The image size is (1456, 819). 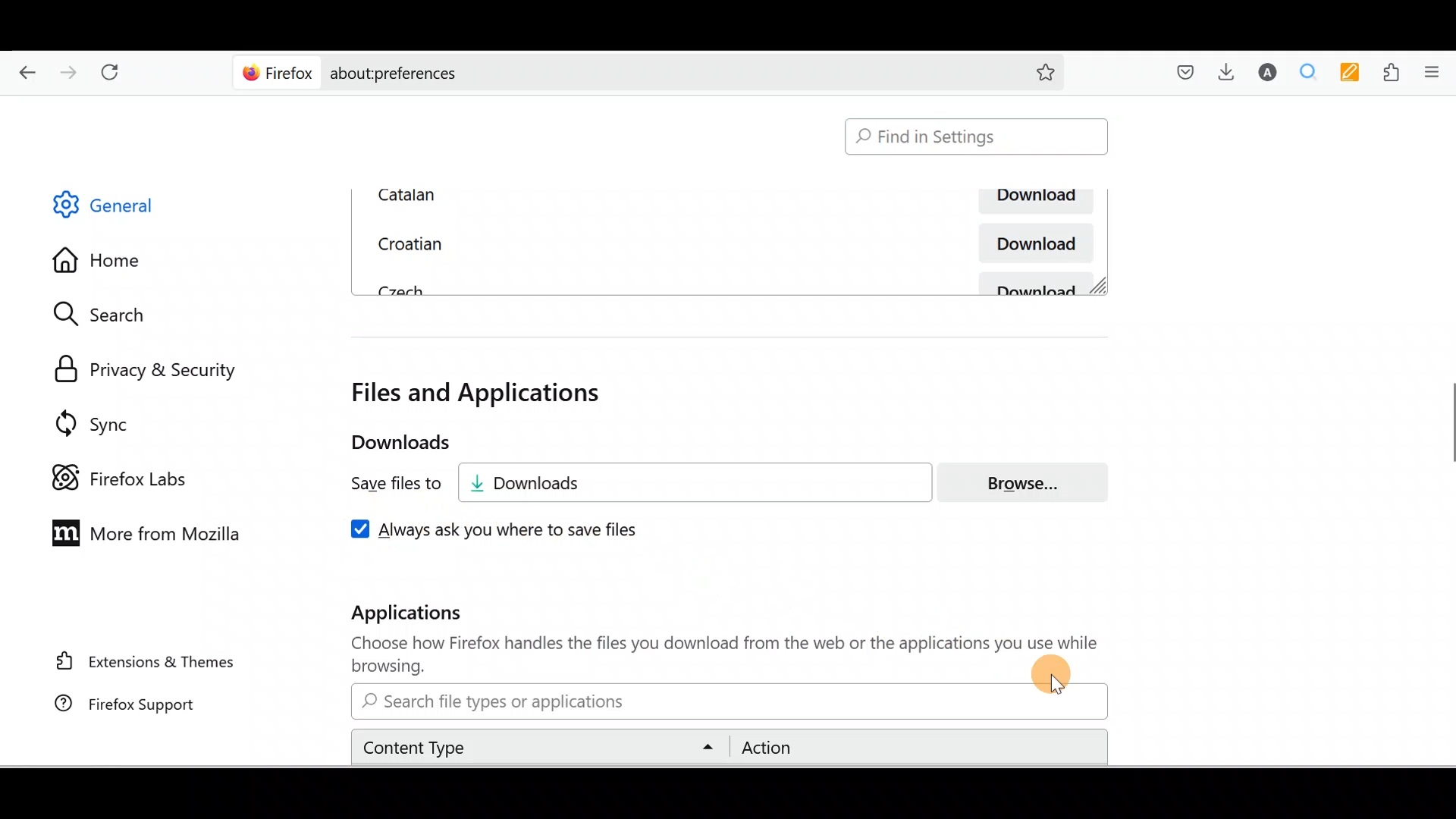 What do you see at coordinates (1447, 428) in the screenshot?
I see `Mouse up - scroll bar` at bounding box center [1447, 428].